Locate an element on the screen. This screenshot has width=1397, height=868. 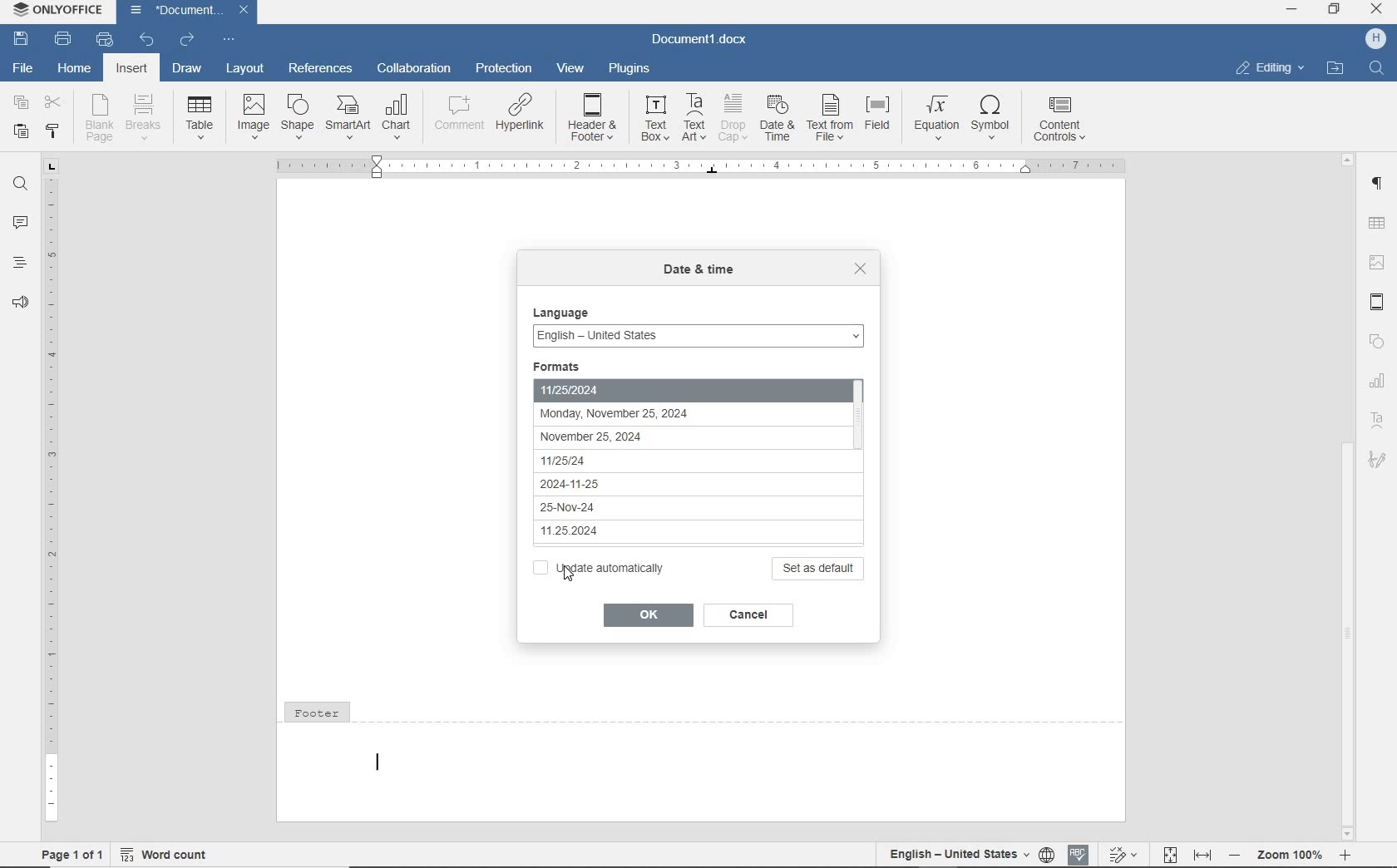
Language is located at coordinates (565, 309).